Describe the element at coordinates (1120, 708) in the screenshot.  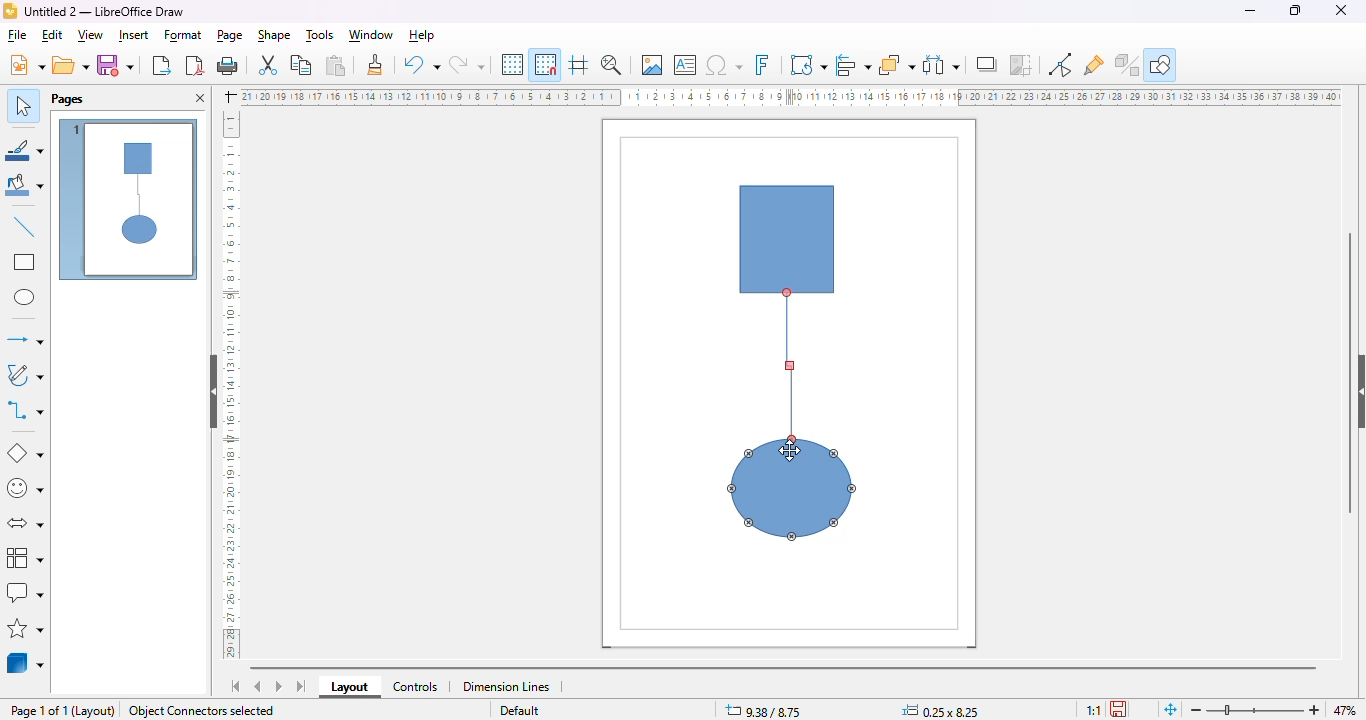
I see `the document has been modified` at that location.